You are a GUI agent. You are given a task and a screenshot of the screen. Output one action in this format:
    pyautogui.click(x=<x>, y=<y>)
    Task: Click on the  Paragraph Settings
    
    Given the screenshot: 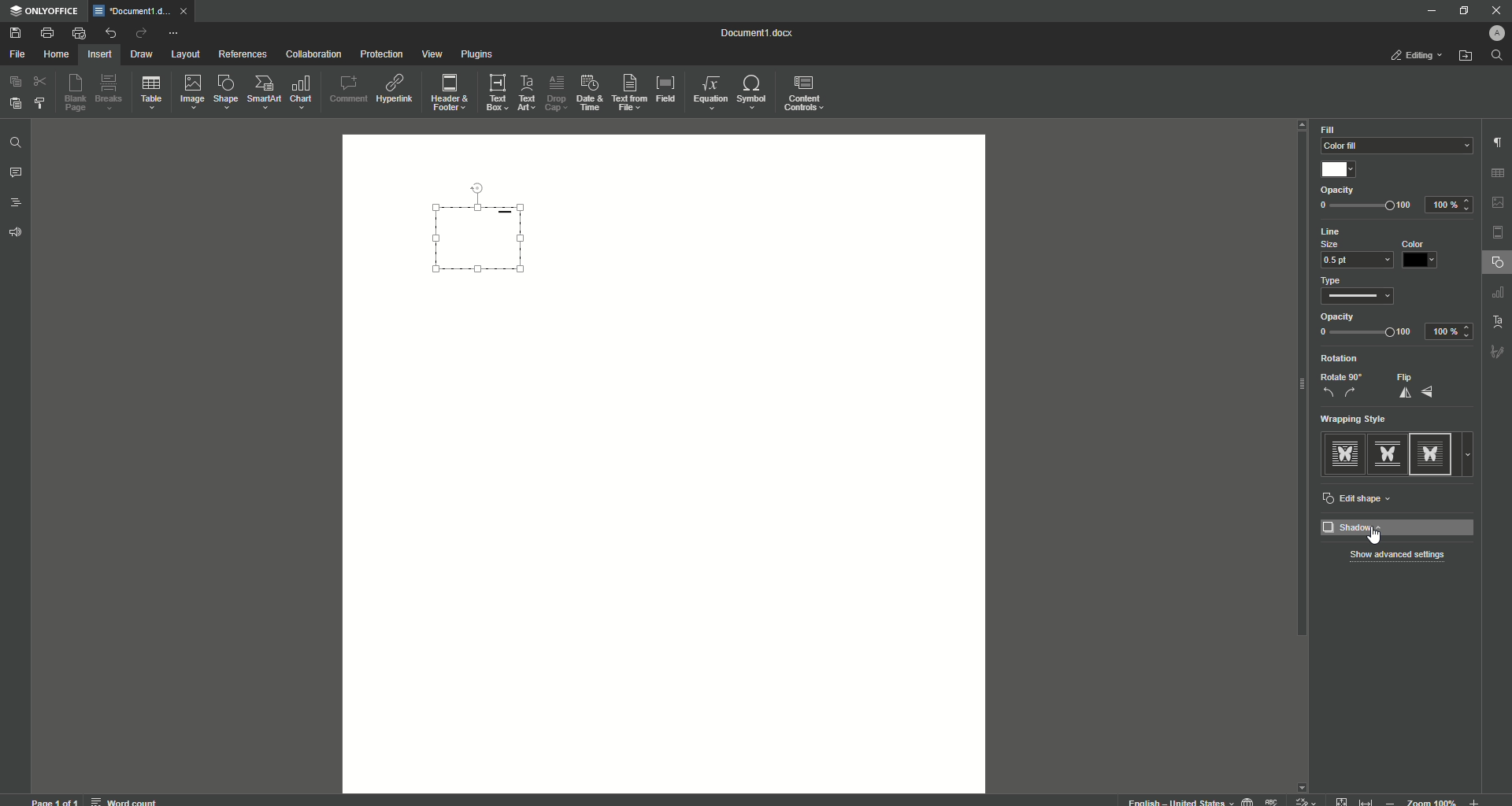 What is the action you would take?
    pyautogui.click(x=1496, y=142)
    